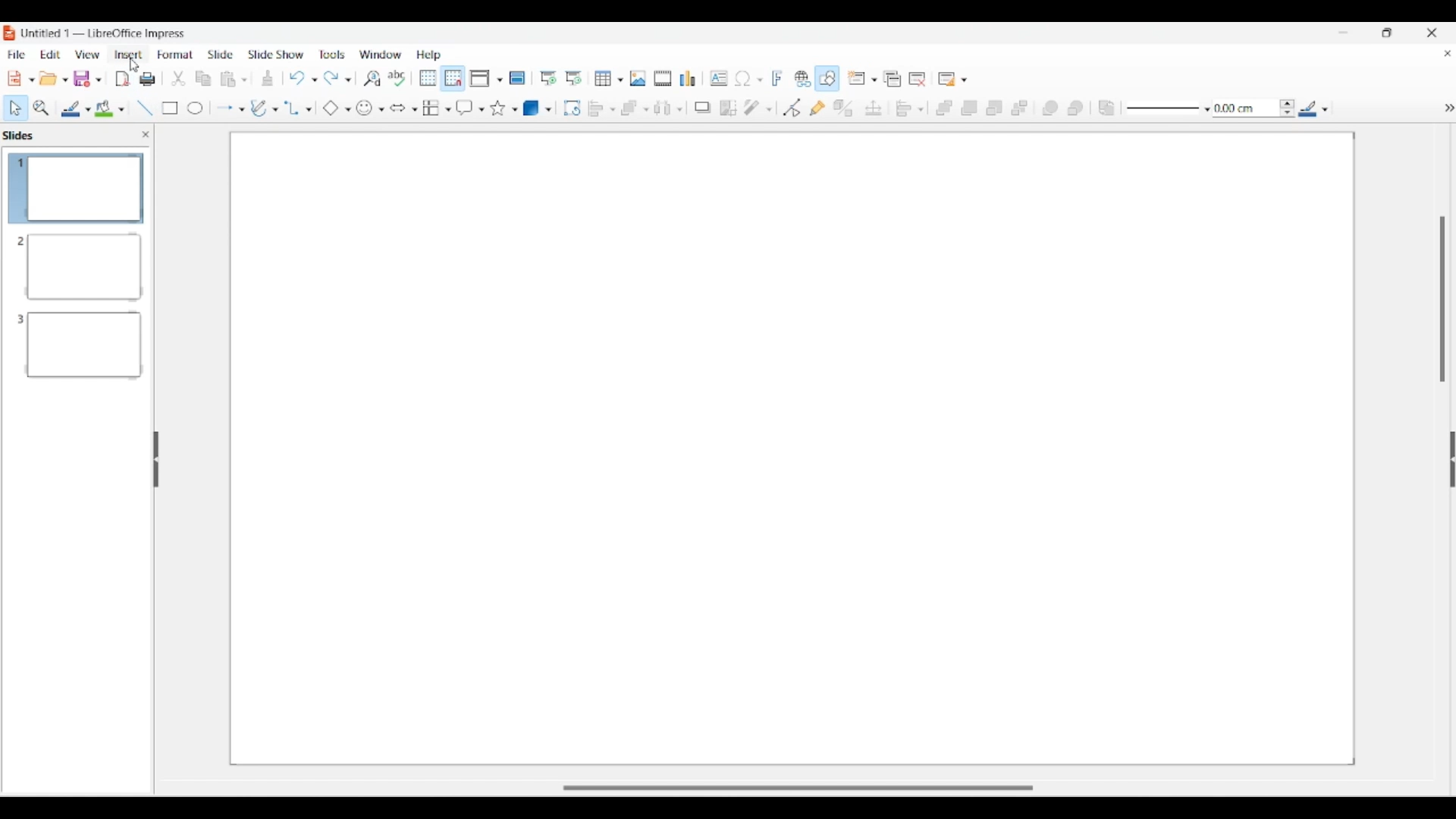  Describe the element at coordinates (1050, 108) in the screenshot. I see `Infornt object` at that location.